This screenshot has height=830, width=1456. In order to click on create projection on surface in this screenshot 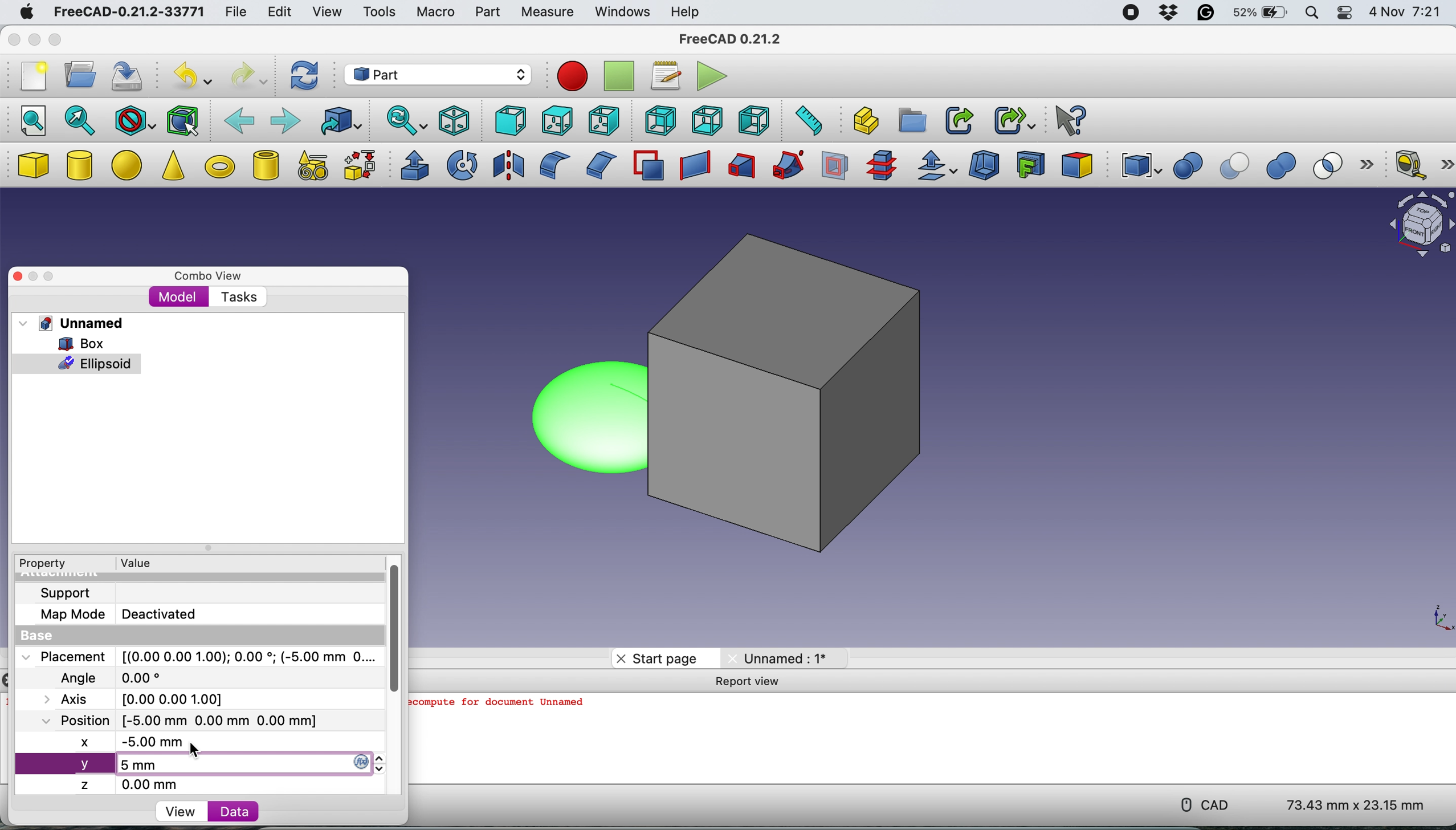, I will do `click(1031, 164)`.